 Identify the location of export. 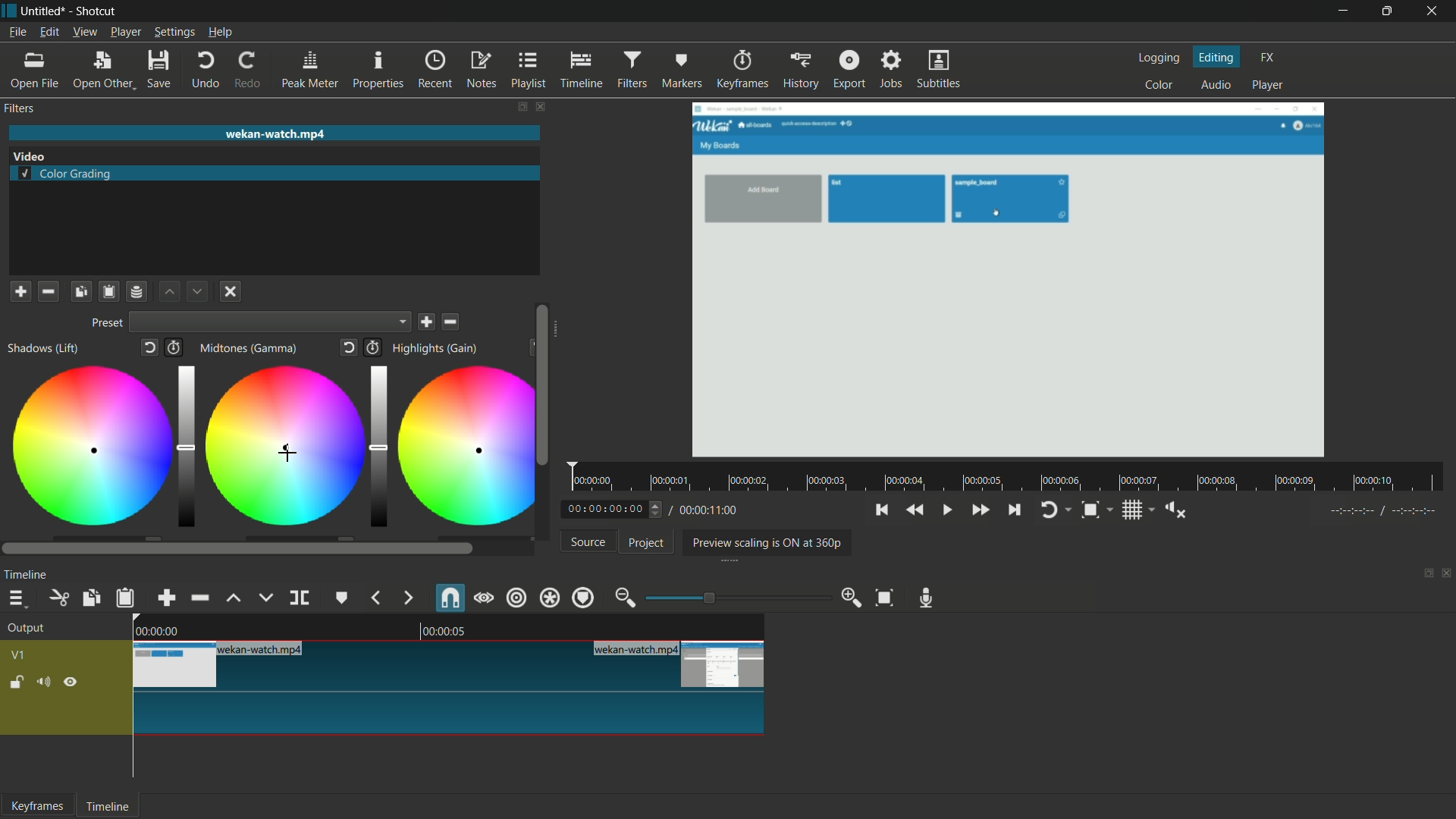
(850, 71).